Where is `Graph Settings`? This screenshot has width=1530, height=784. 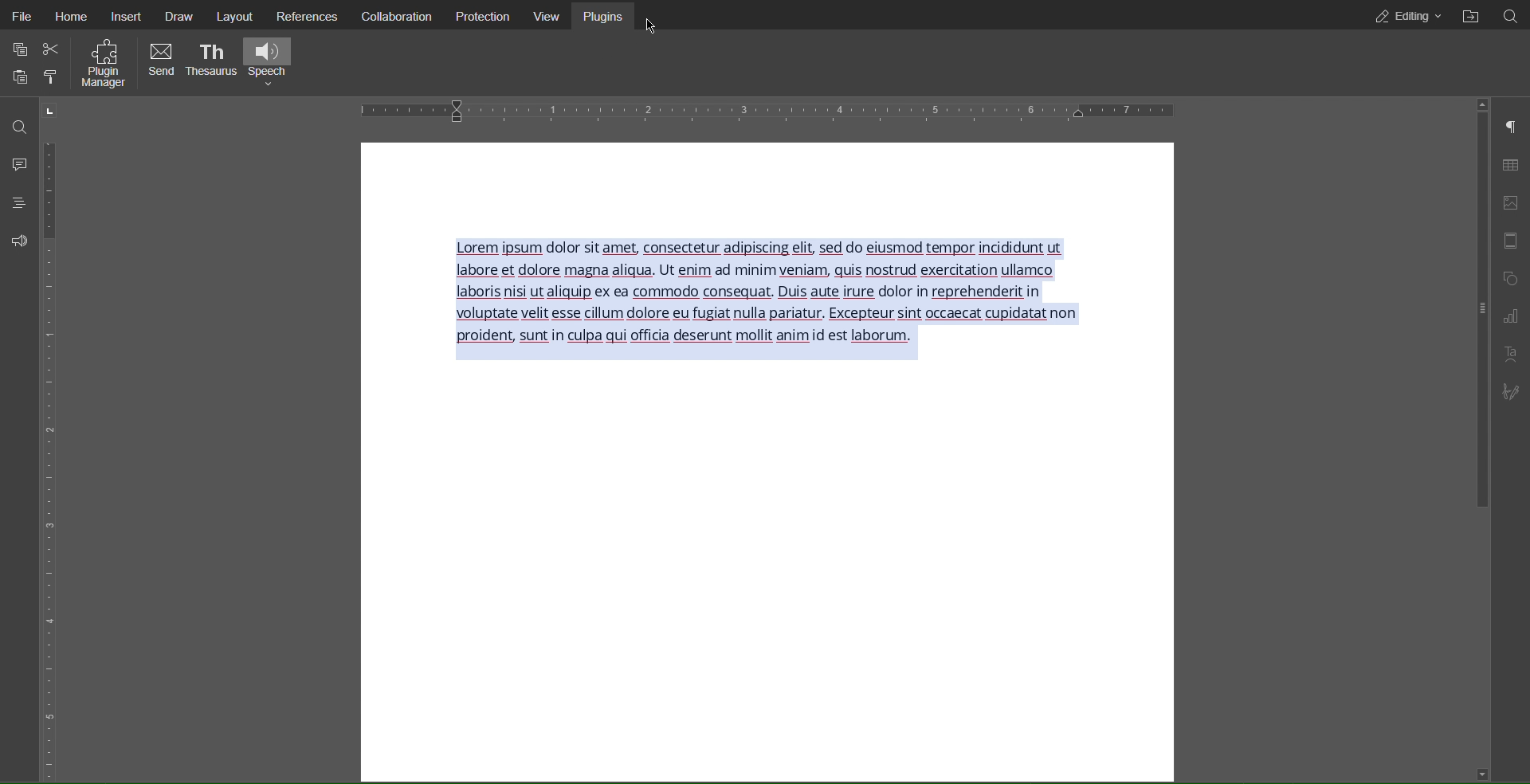 Graph Settings is located at coordinates (1512, 316).